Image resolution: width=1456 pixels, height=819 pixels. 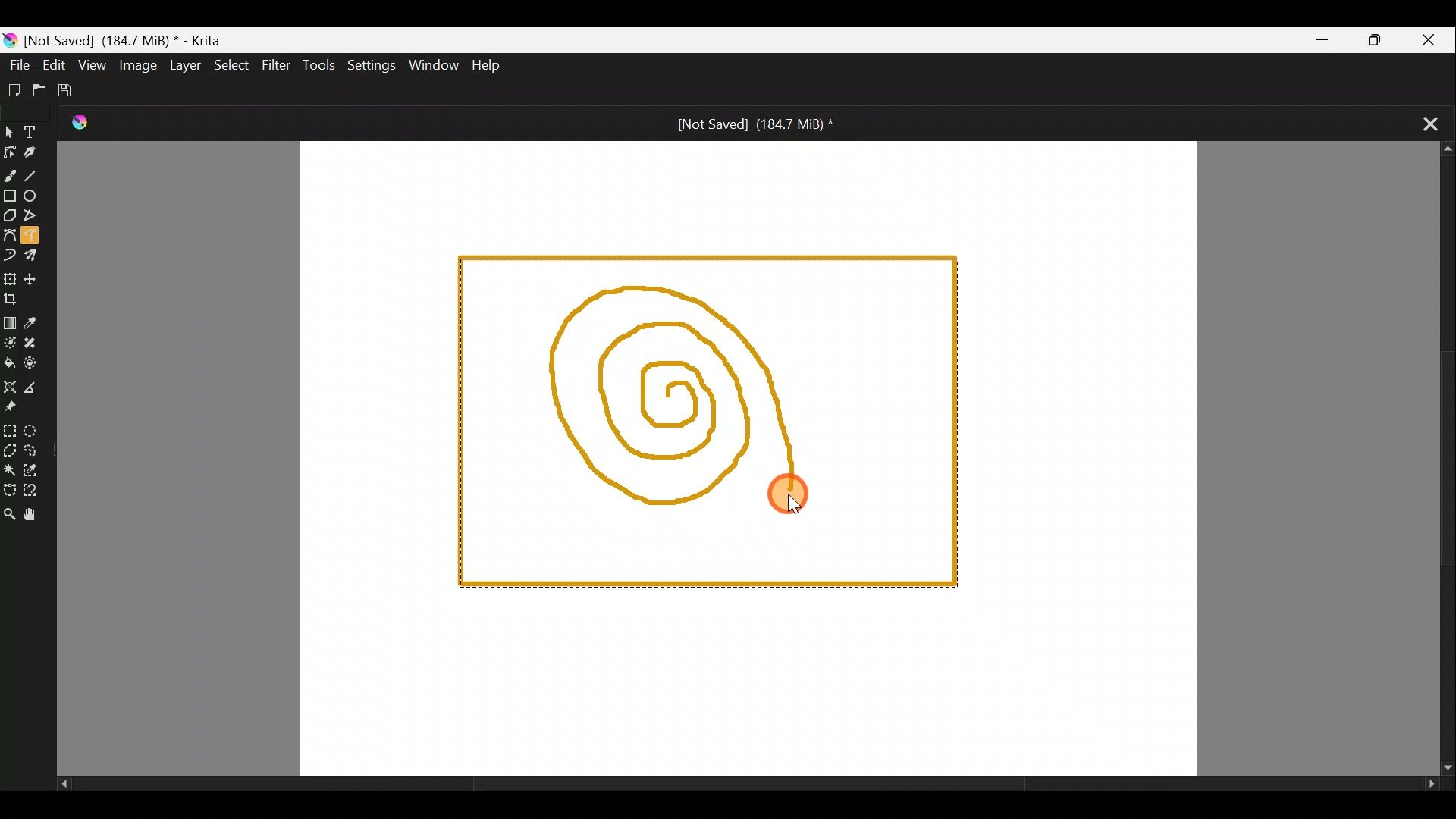 What do you see at coordinates (1321, 40) in the screenshot?
I see `Minimize` at bounding box center [1321, 40].